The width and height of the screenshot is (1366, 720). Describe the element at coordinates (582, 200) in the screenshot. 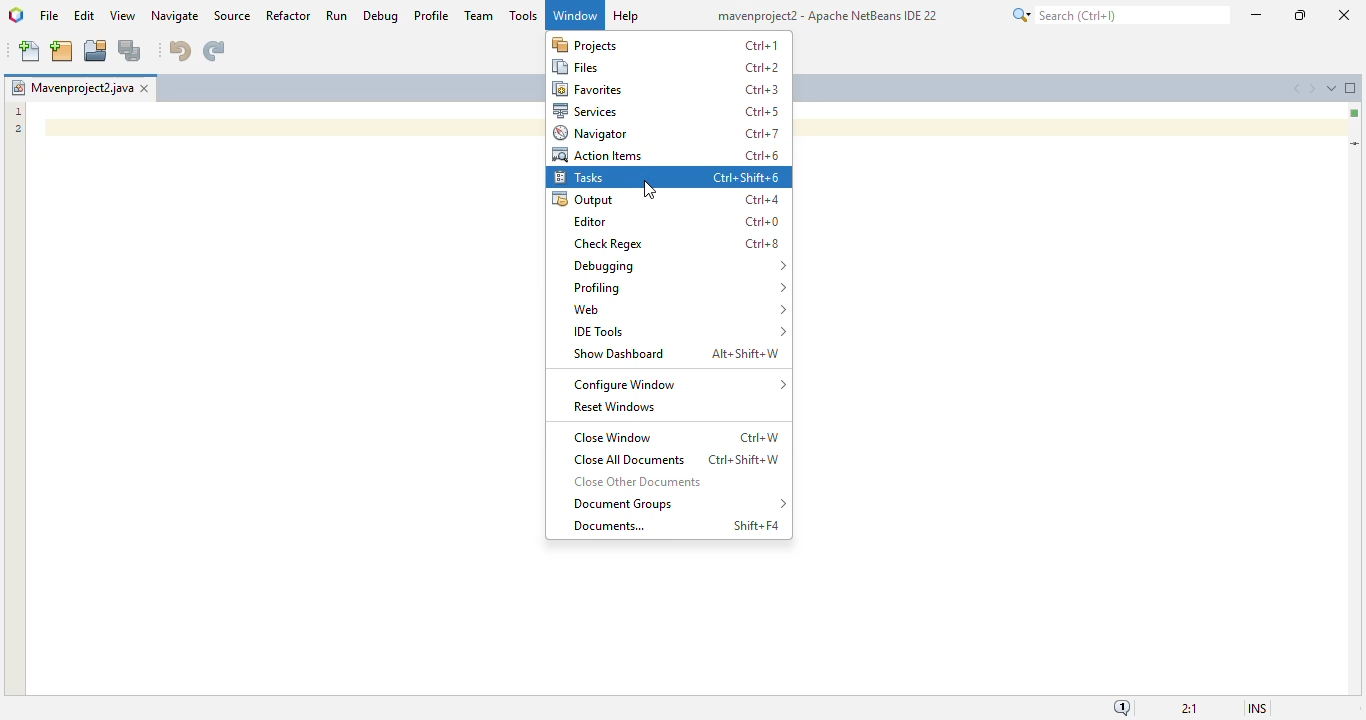

I see `output` at that location.